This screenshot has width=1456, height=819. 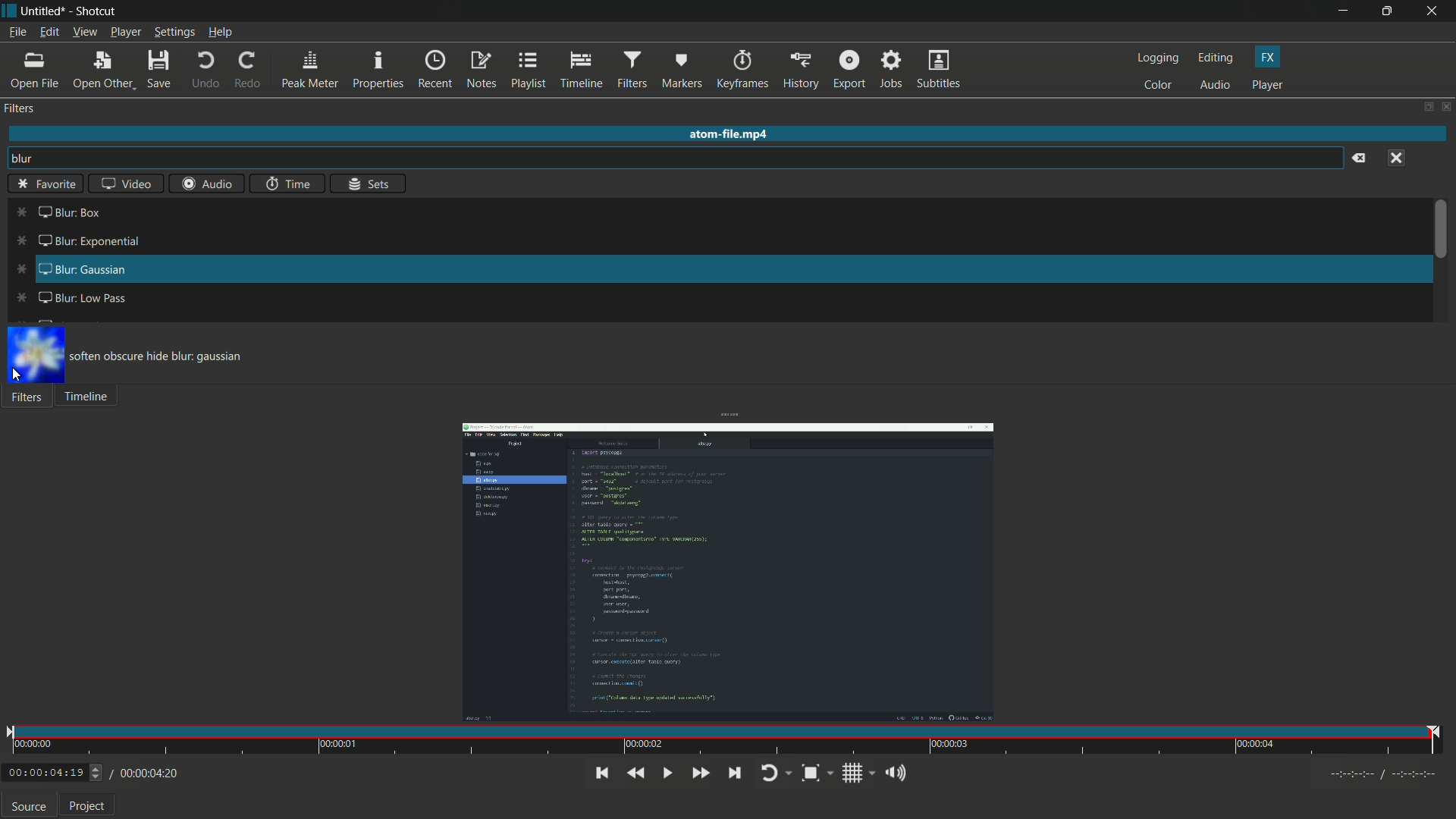 What do you see at coordinates (90, 398) in the screenshot?
I see `Timeline` at bounding box center [90, 398].